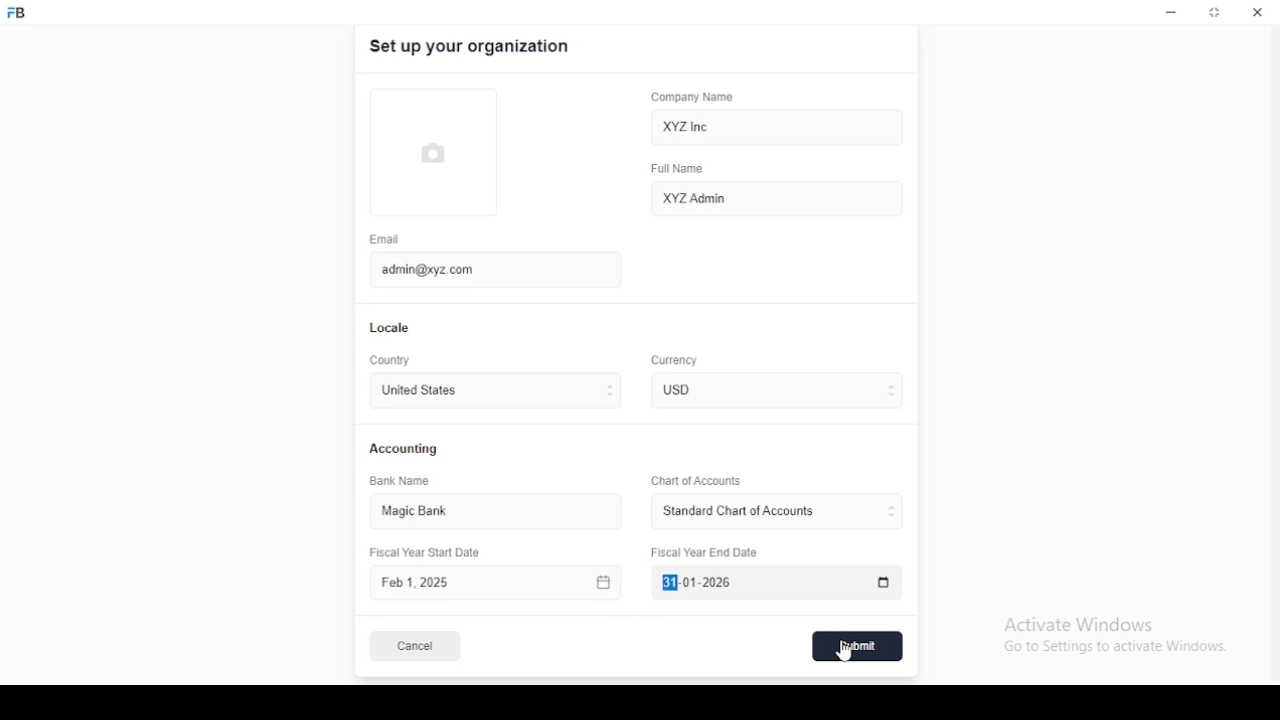 This screenshot has height=720, width=1280. Describe the element at coordinates (693, 480) in the screenshot. I see `Chart of Accounts` at that location.